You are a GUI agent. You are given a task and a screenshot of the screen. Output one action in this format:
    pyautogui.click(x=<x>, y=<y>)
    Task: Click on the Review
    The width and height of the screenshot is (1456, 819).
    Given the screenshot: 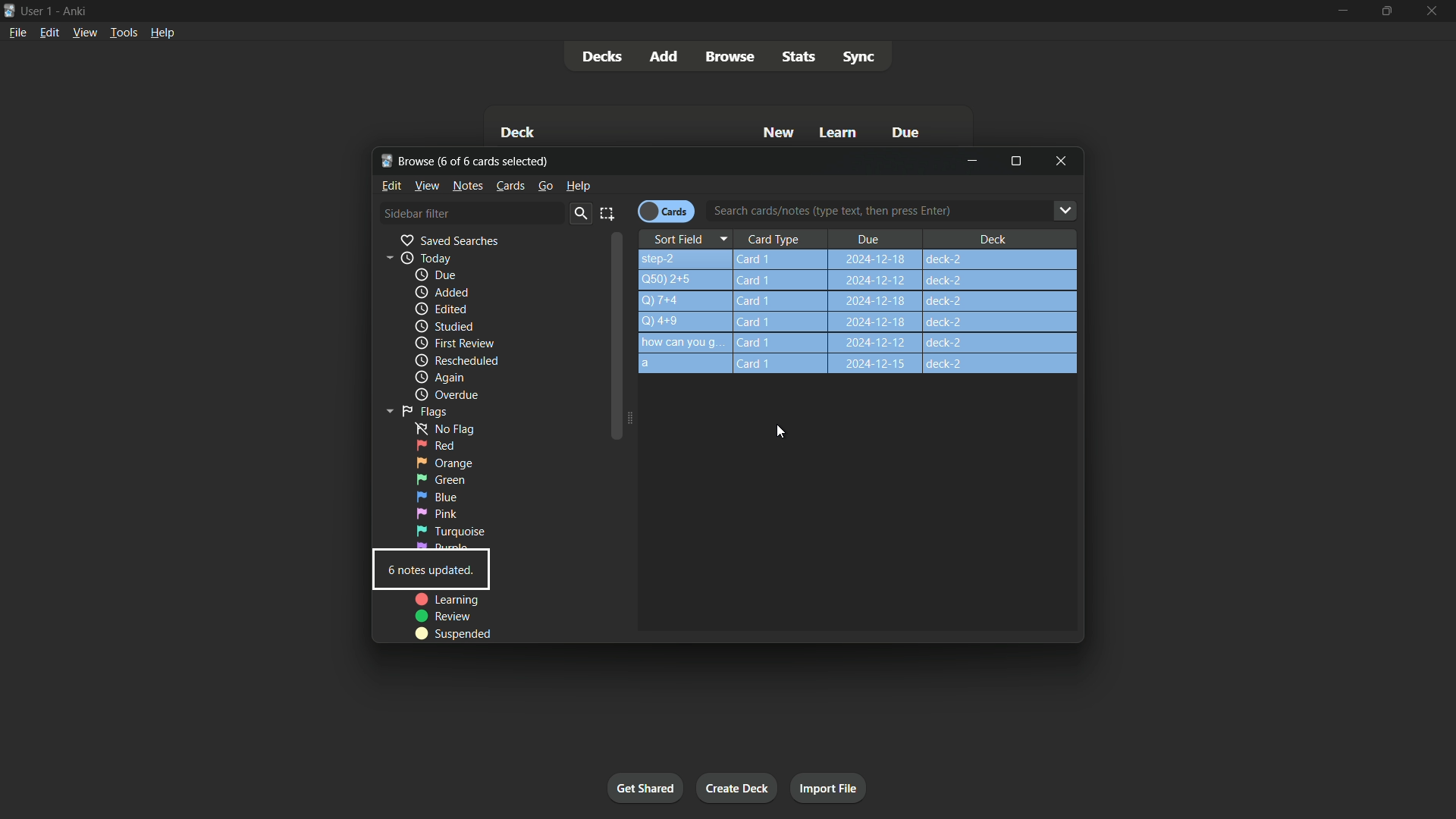 What is the action you would take?
    pyautogui.click(x=445, y=616)
    